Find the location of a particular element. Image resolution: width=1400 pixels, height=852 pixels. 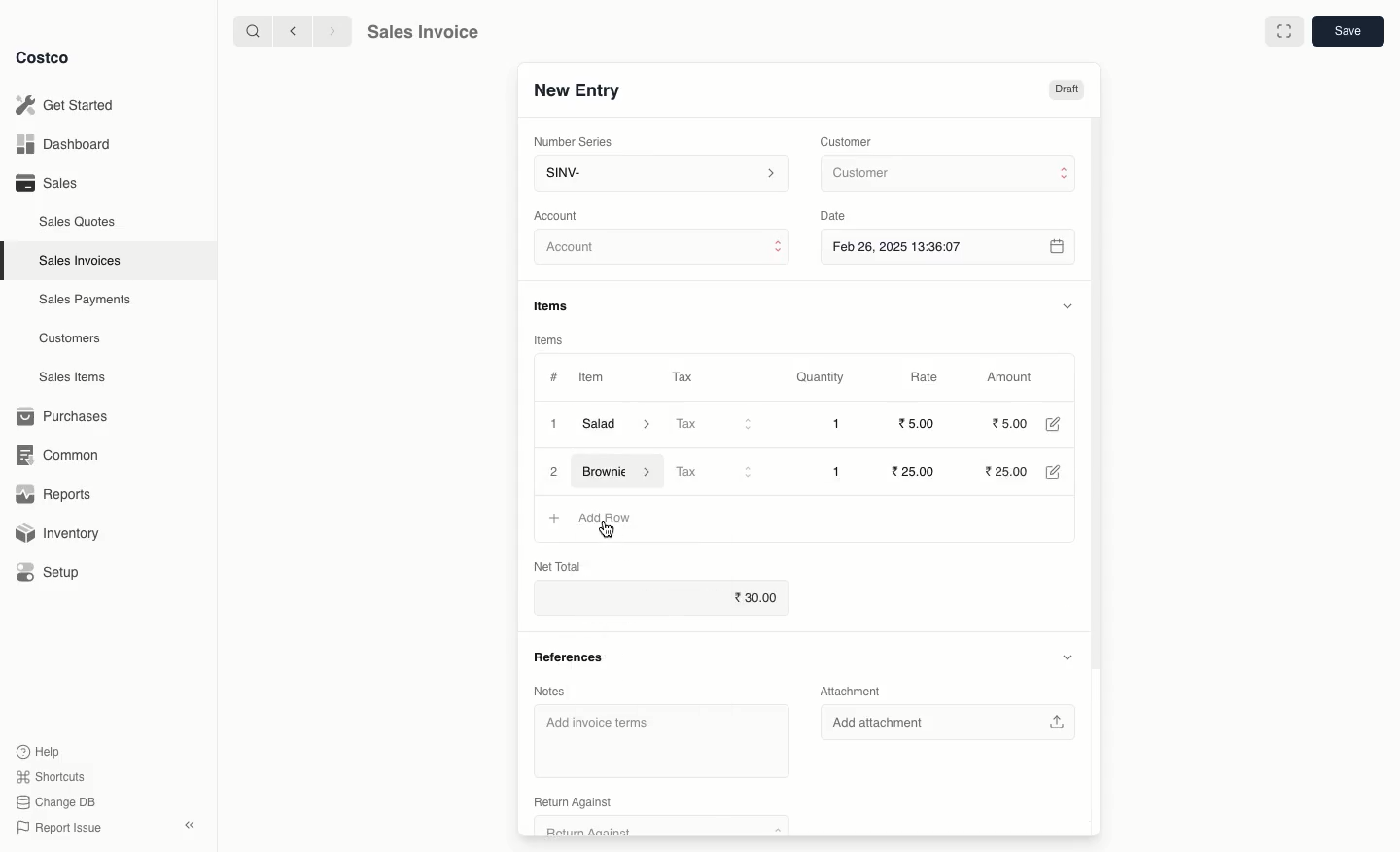

Edit is located at coordinates (1056, 472).